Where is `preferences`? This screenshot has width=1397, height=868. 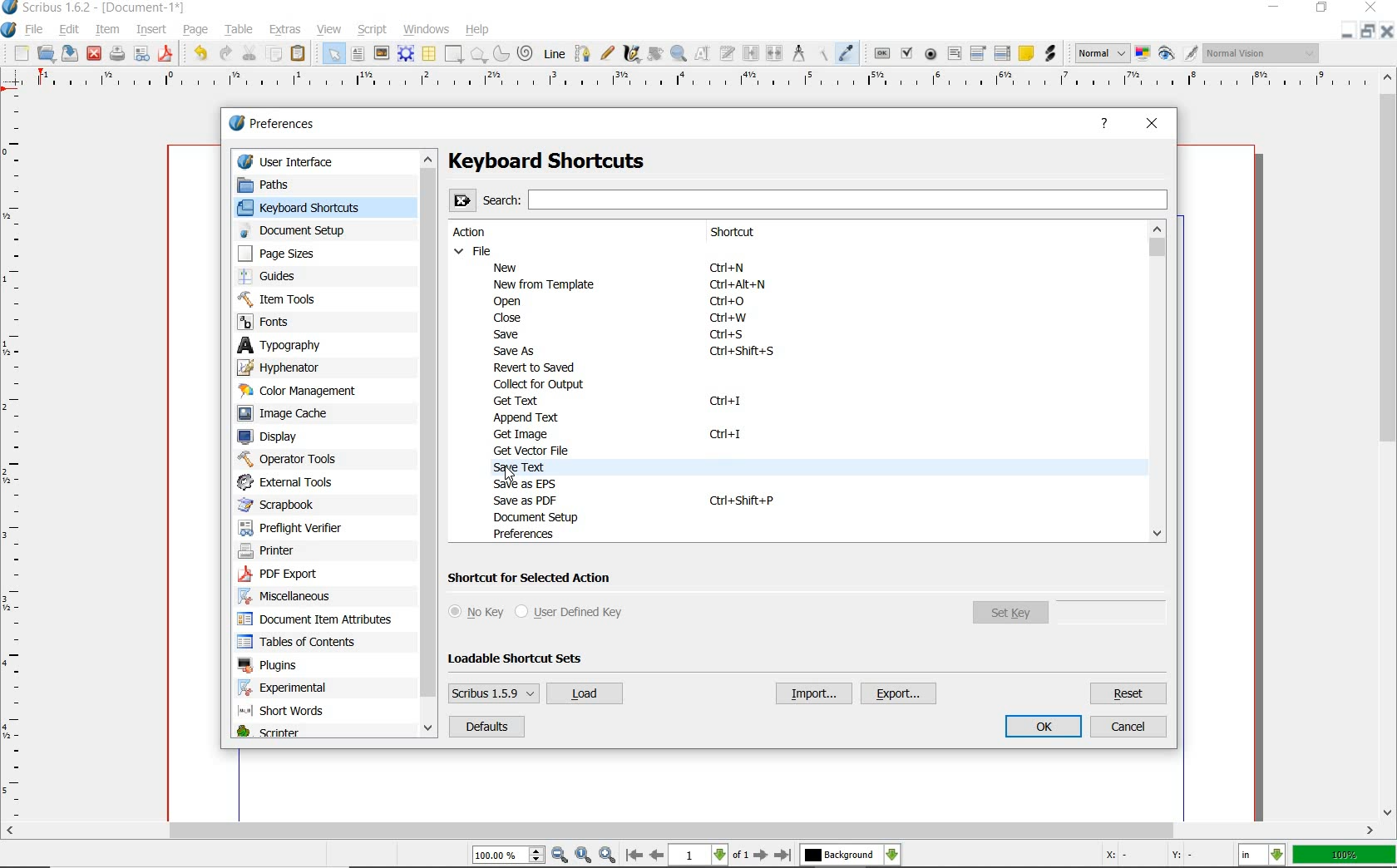
preferences is located at coordinates (529, 534).